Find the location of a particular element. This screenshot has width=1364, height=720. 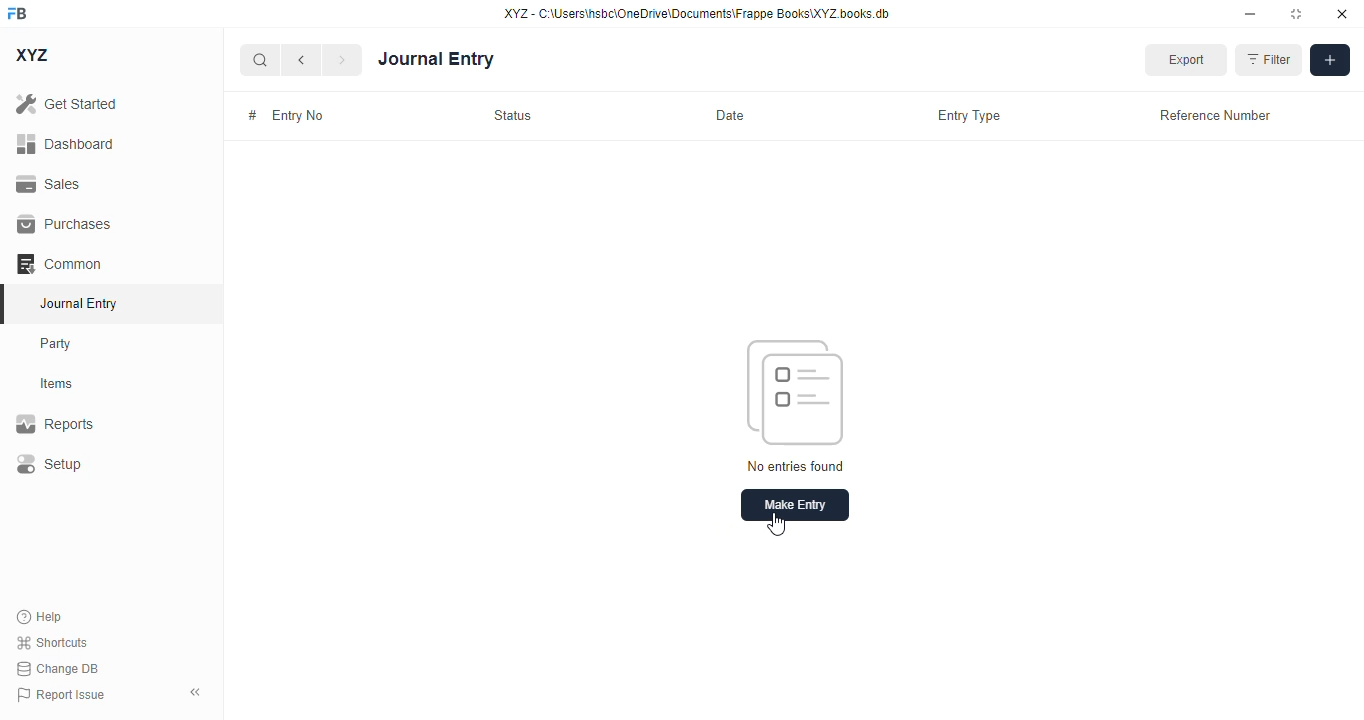

entry type is located at coordinates (970, 116).